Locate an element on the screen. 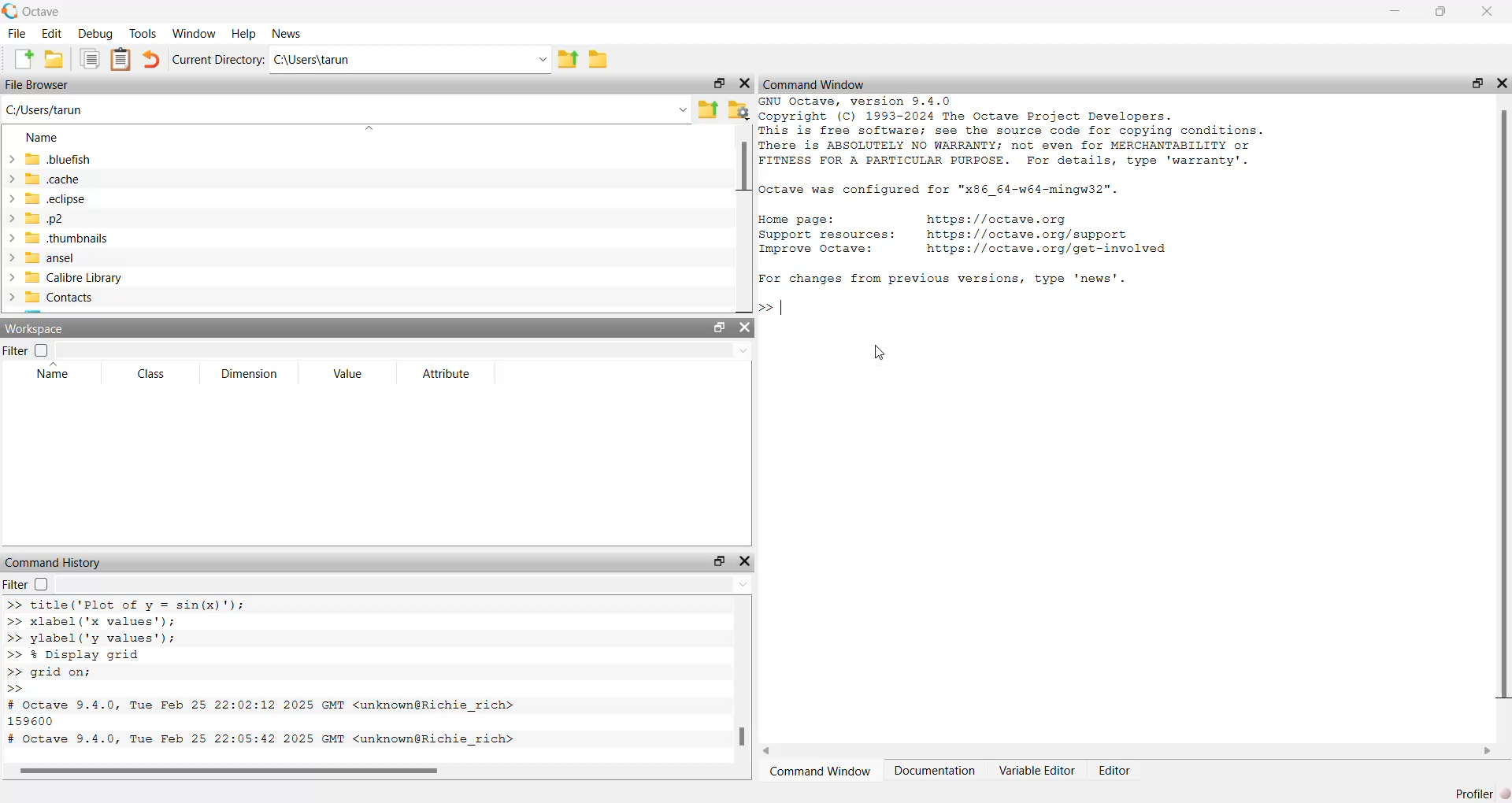  Filter checkbox is located at coordinates (28, 350).